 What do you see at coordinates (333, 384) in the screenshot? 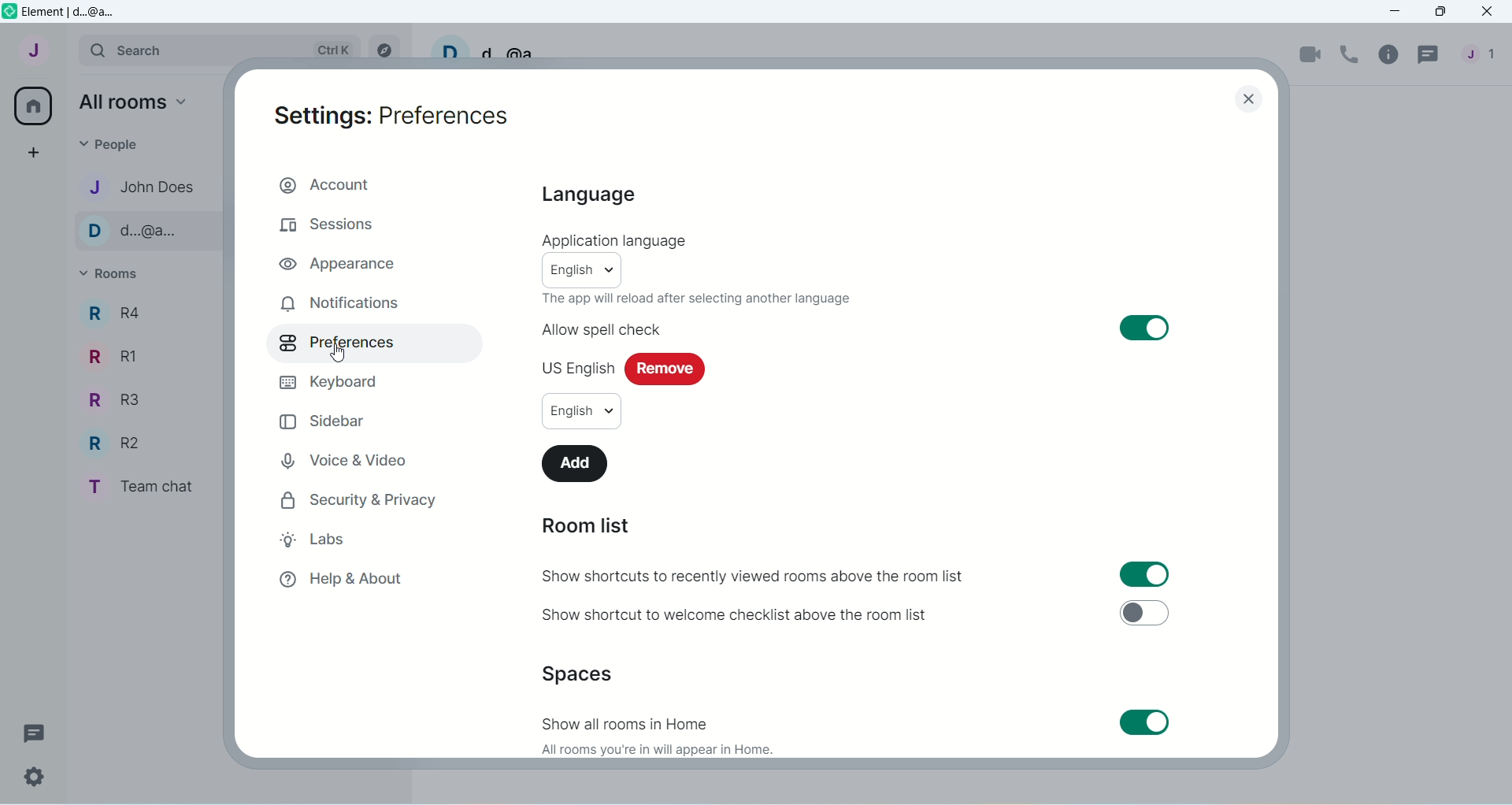
I see `Keyboard` at bounding box center [333, 384].